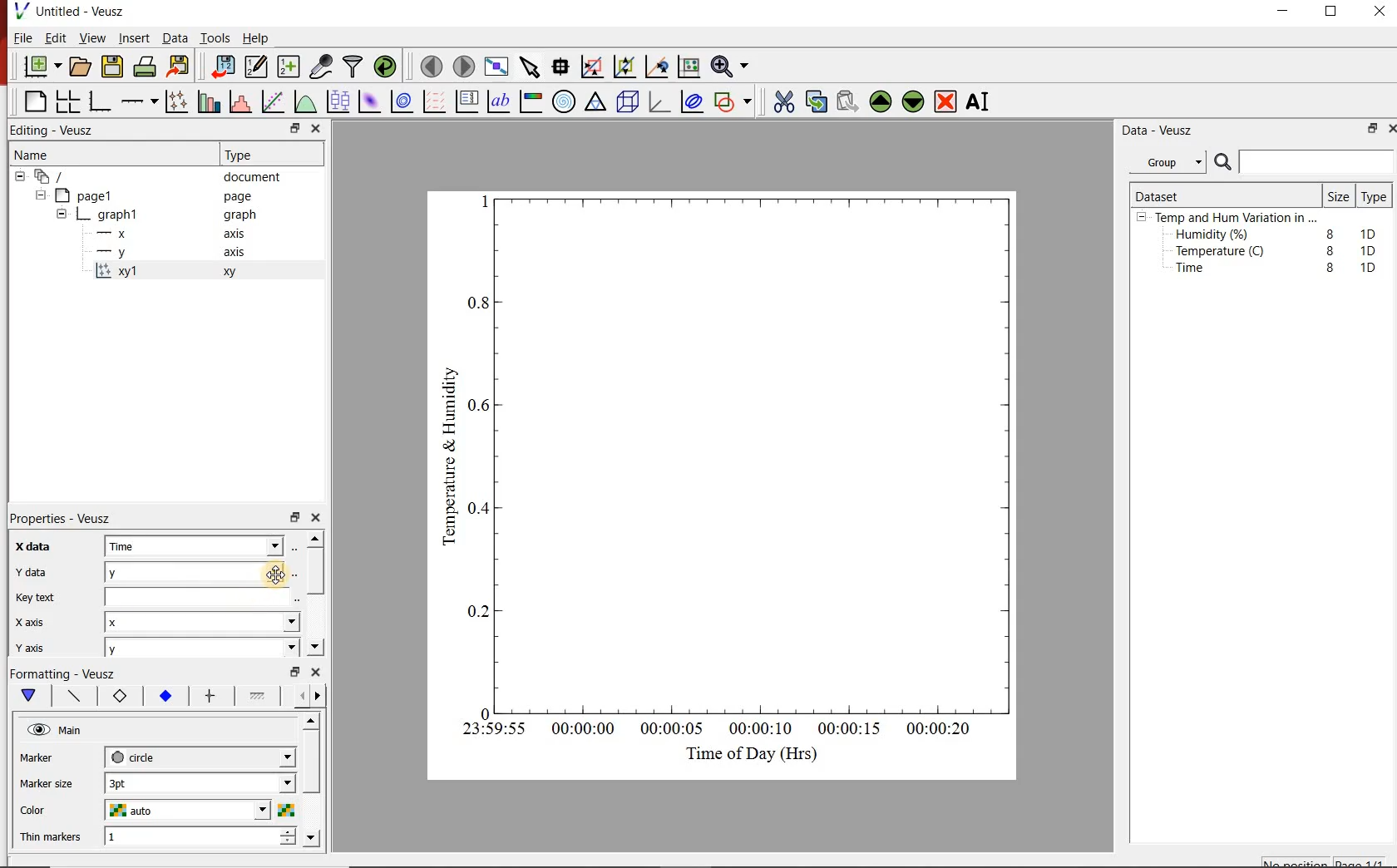 Image resolution: width=1397 pixels, height=868 pixels. I want to click on plot a 2d dataset as contours, so click(406, 102).